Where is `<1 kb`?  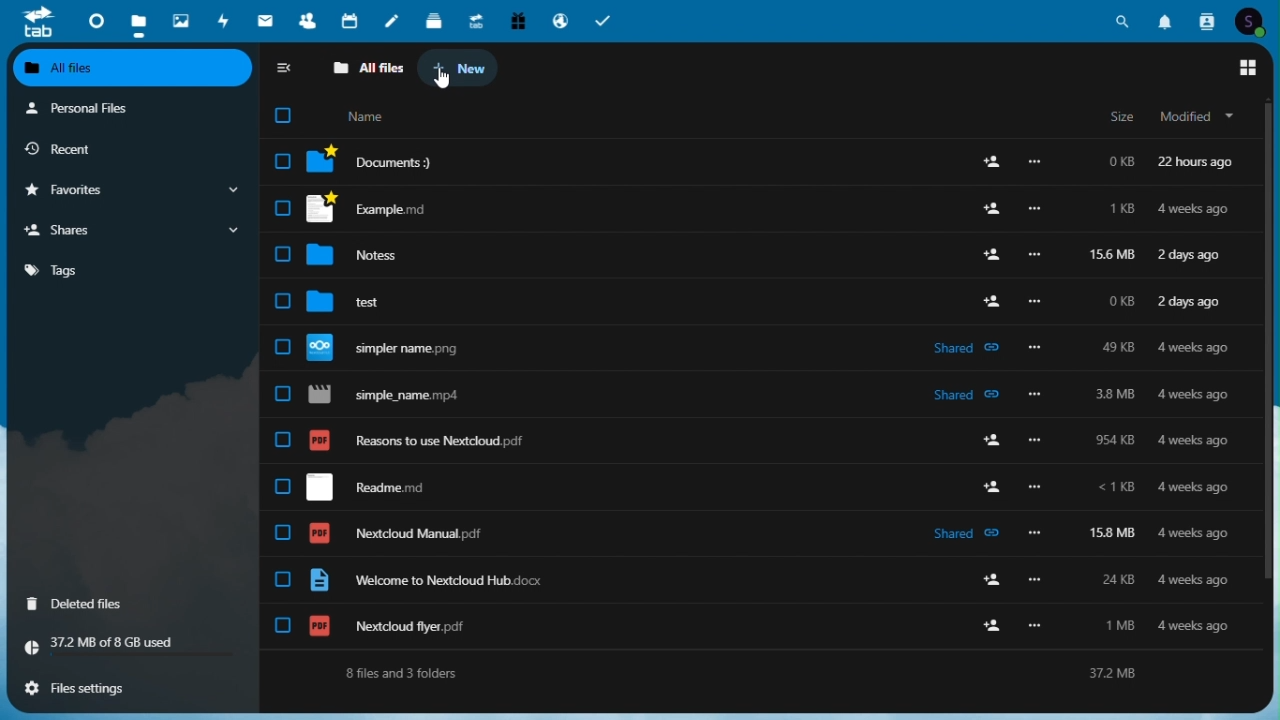 <1 kb is located at coordinates (1115, 487).